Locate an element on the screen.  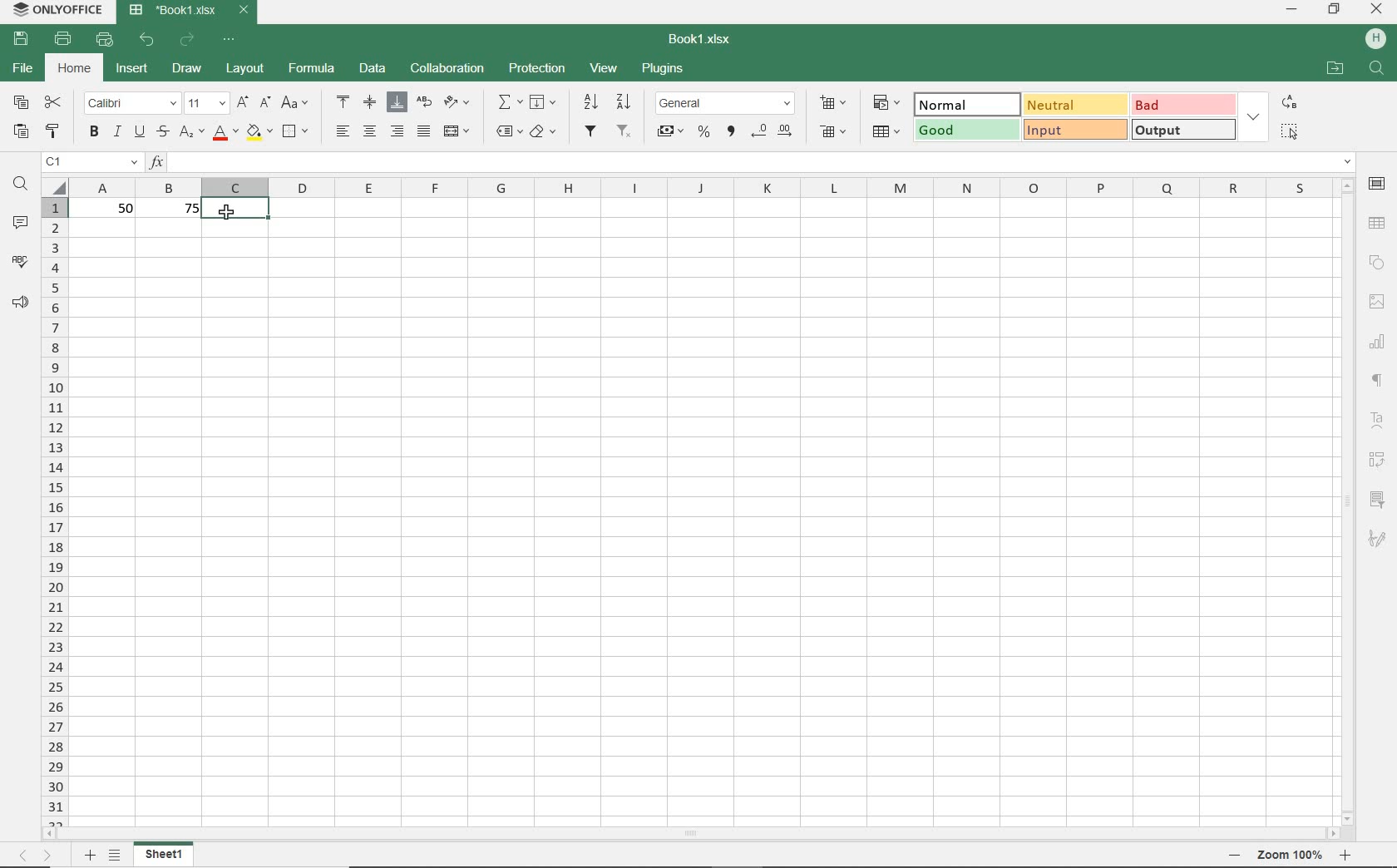
named ranges is located at coordinates (509, 132).